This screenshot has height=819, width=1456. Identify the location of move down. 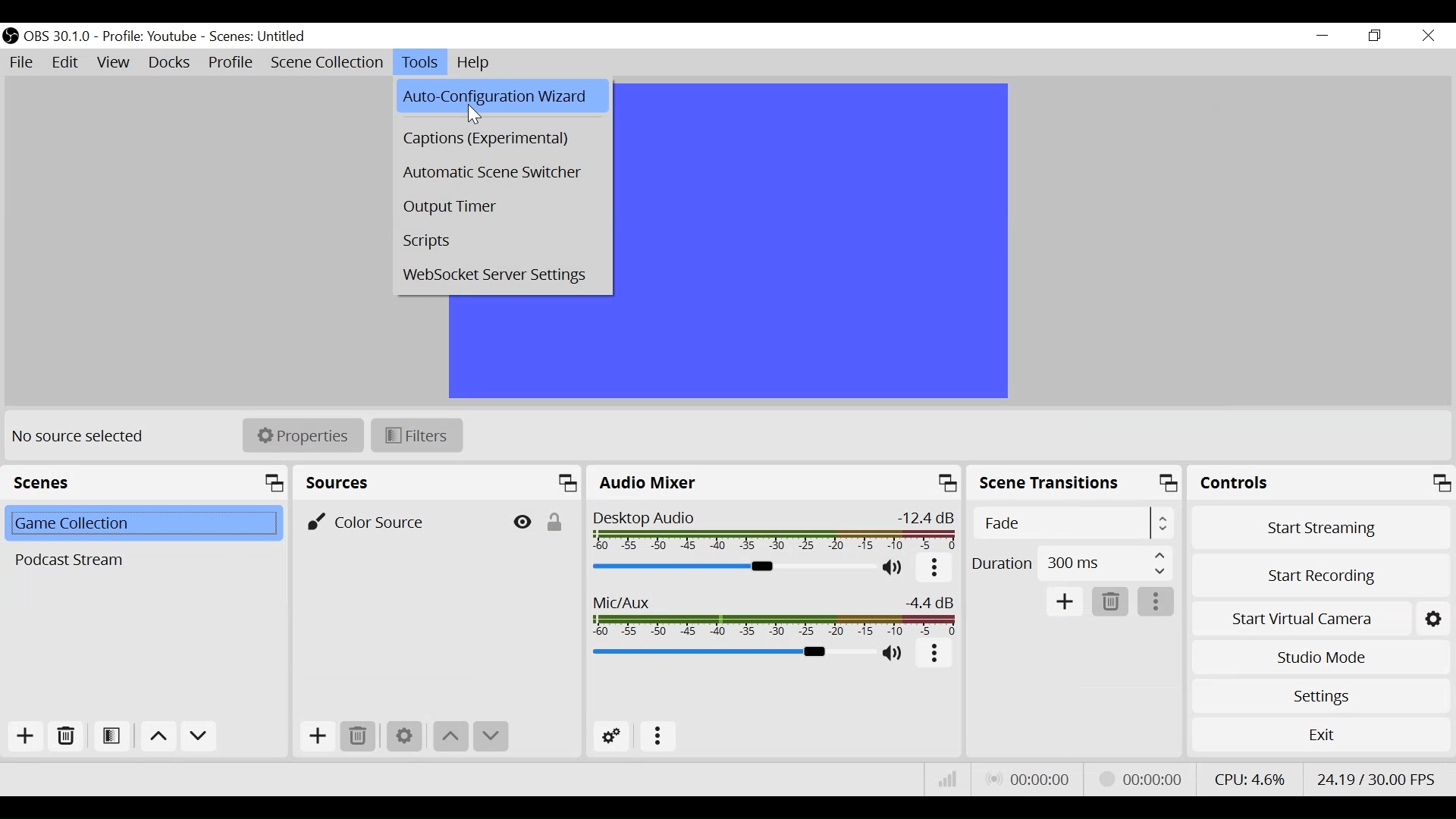
(492, 738).